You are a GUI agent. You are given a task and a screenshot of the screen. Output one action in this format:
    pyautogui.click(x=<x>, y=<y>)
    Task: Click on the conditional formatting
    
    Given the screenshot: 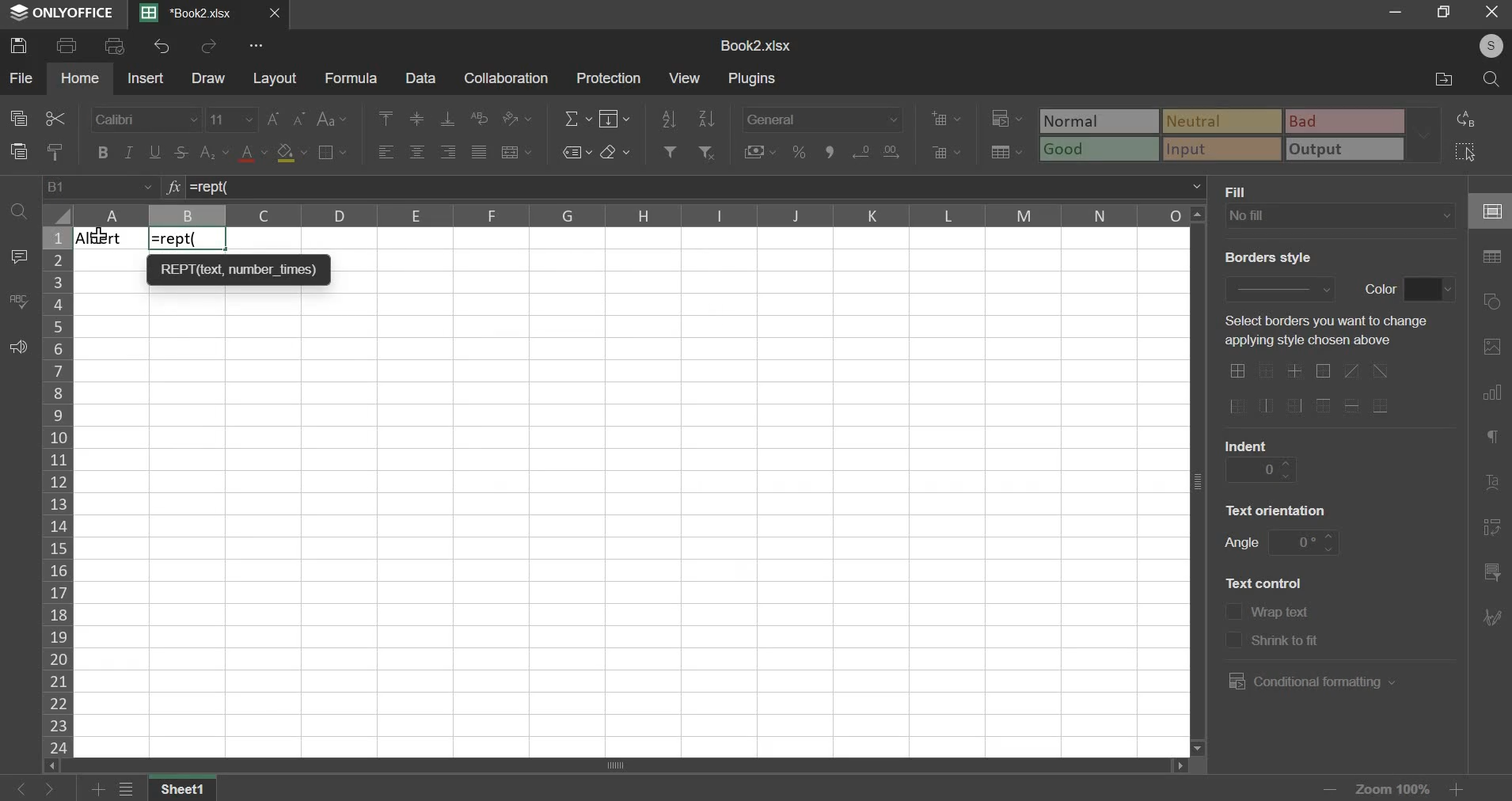 What is the action you would take?
    pyautogui.click(x=1006, y=116)
    